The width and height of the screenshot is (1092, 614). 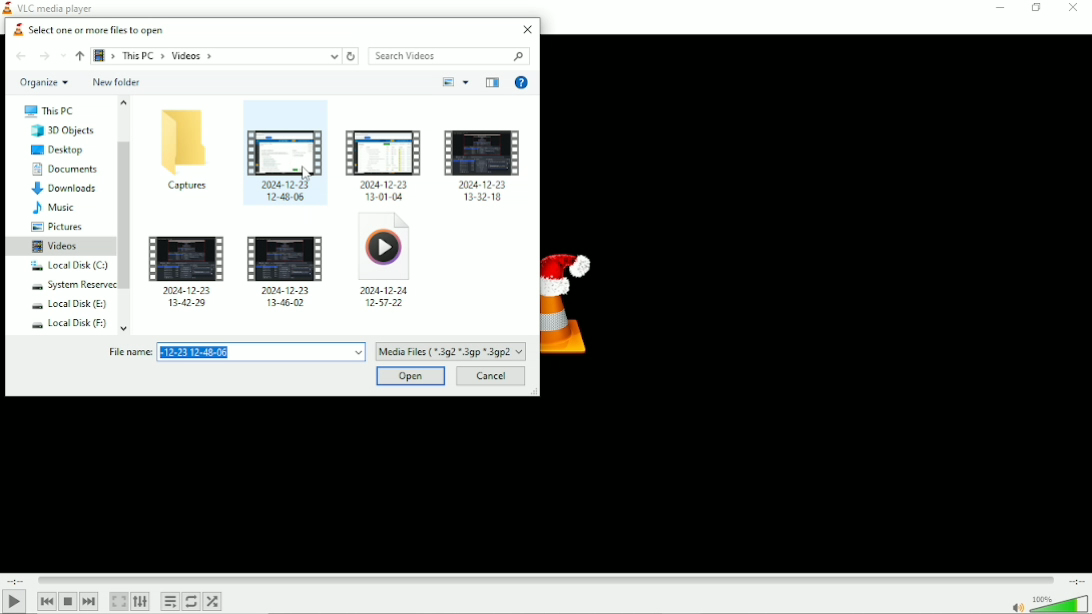 I want to click on Recent locations, so click(x=64, y=56).